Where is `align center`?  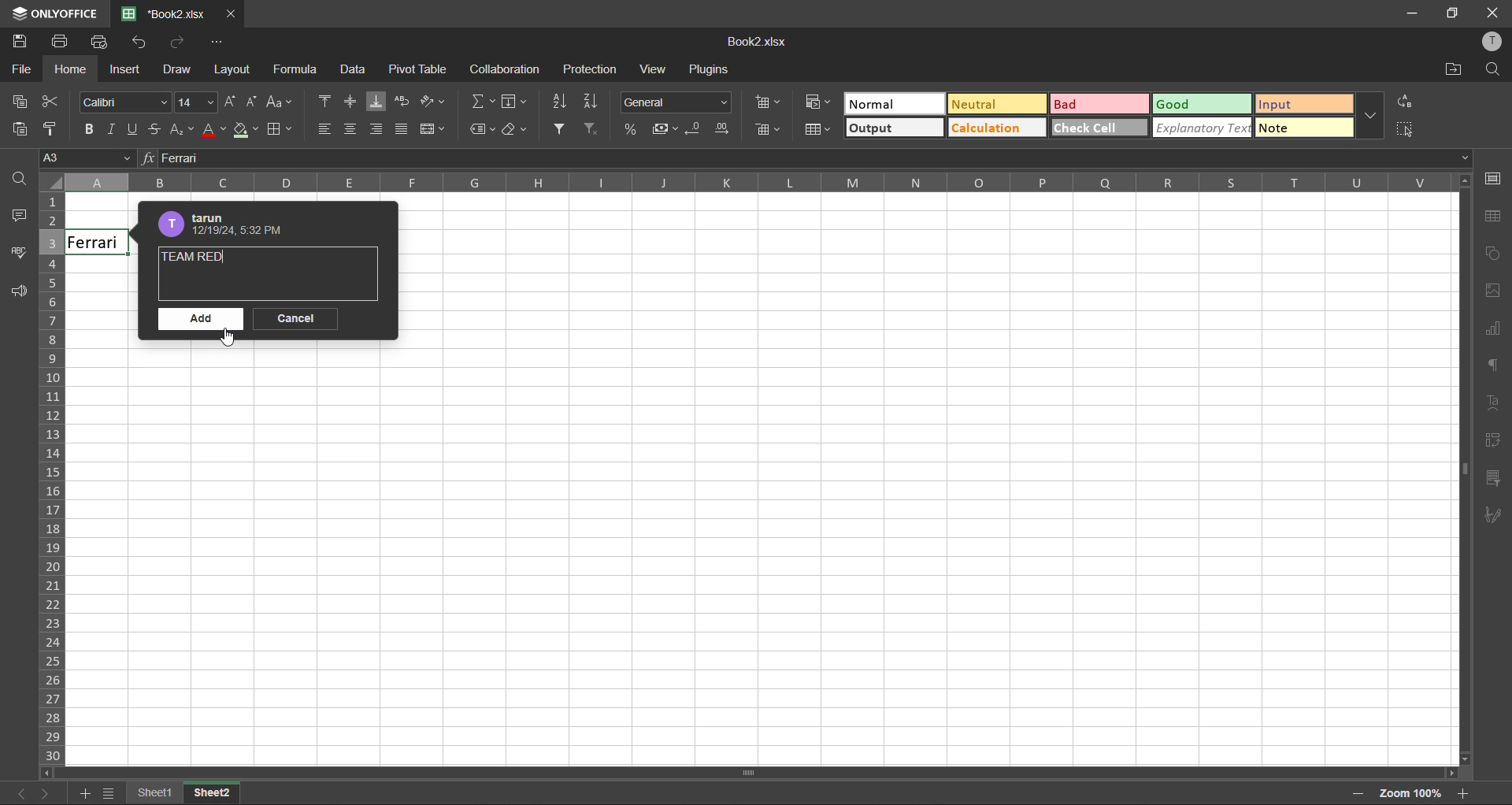 align center is located at coordinates (352, 129).